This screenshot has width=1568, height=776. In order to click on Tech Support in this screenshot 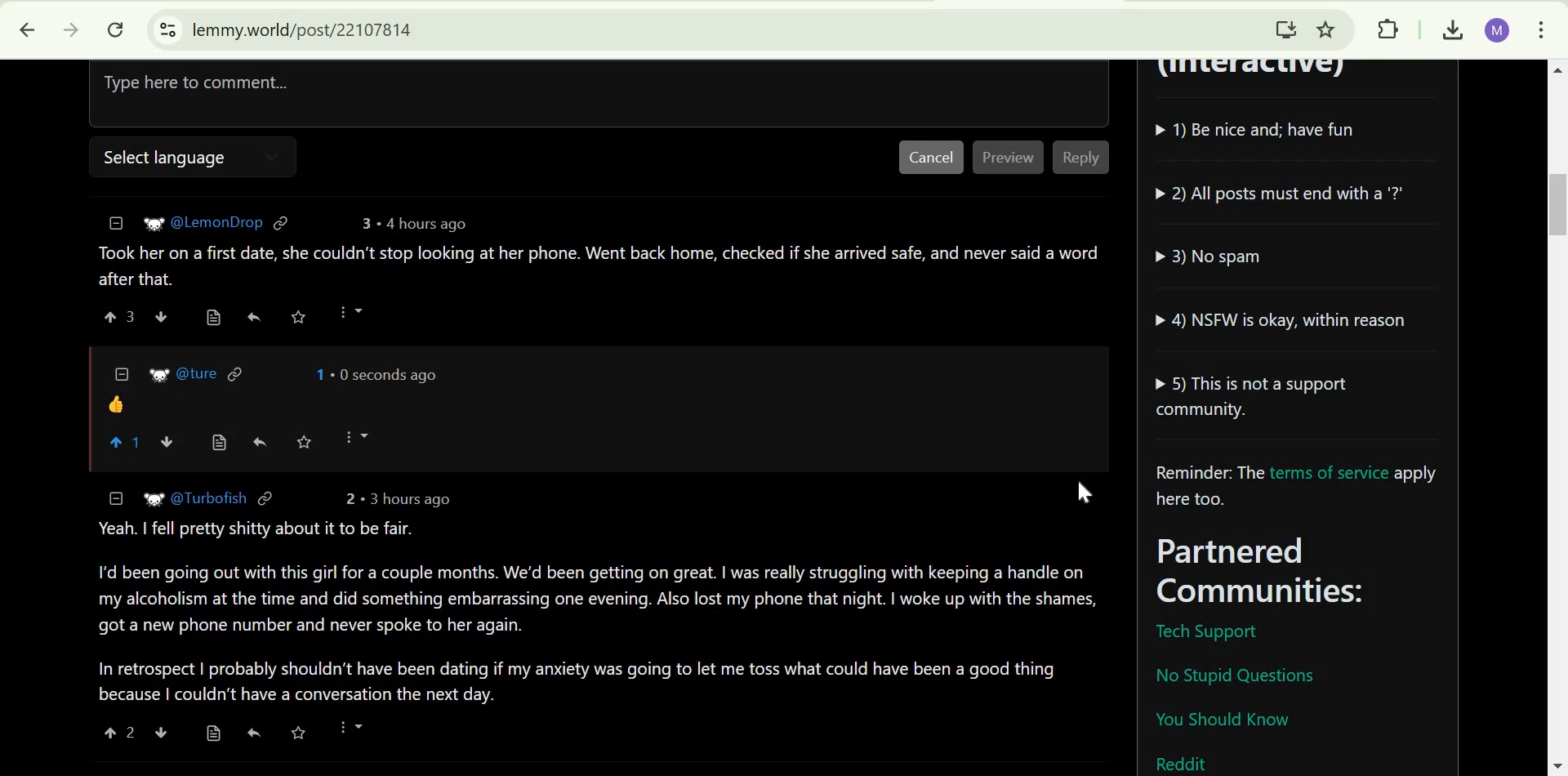, I will do `click(1205, 632)`.